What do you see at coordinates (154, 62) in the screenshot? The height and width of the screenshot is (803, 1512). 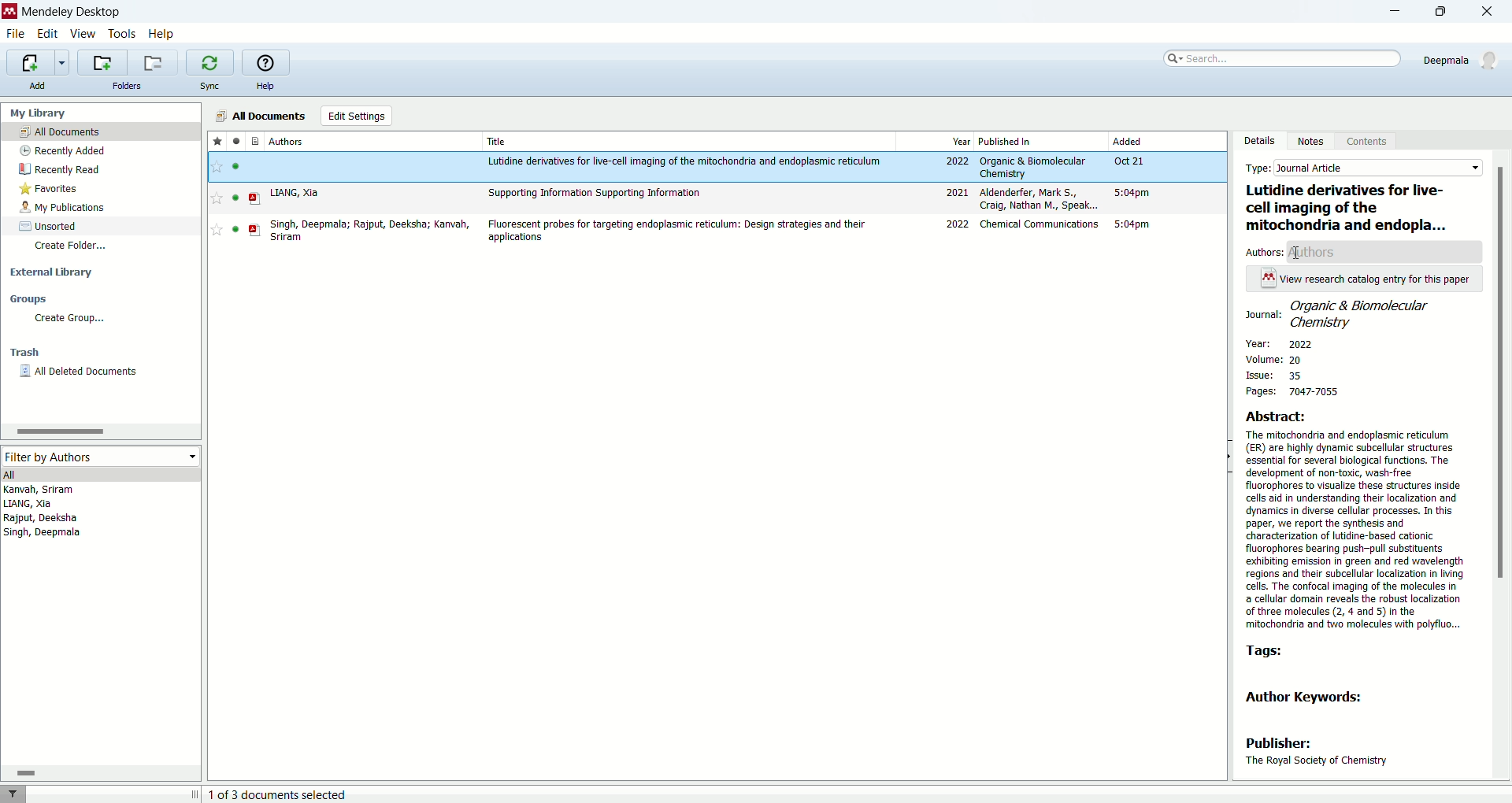 I see `remove current folder` at bounding box center [154, 62].